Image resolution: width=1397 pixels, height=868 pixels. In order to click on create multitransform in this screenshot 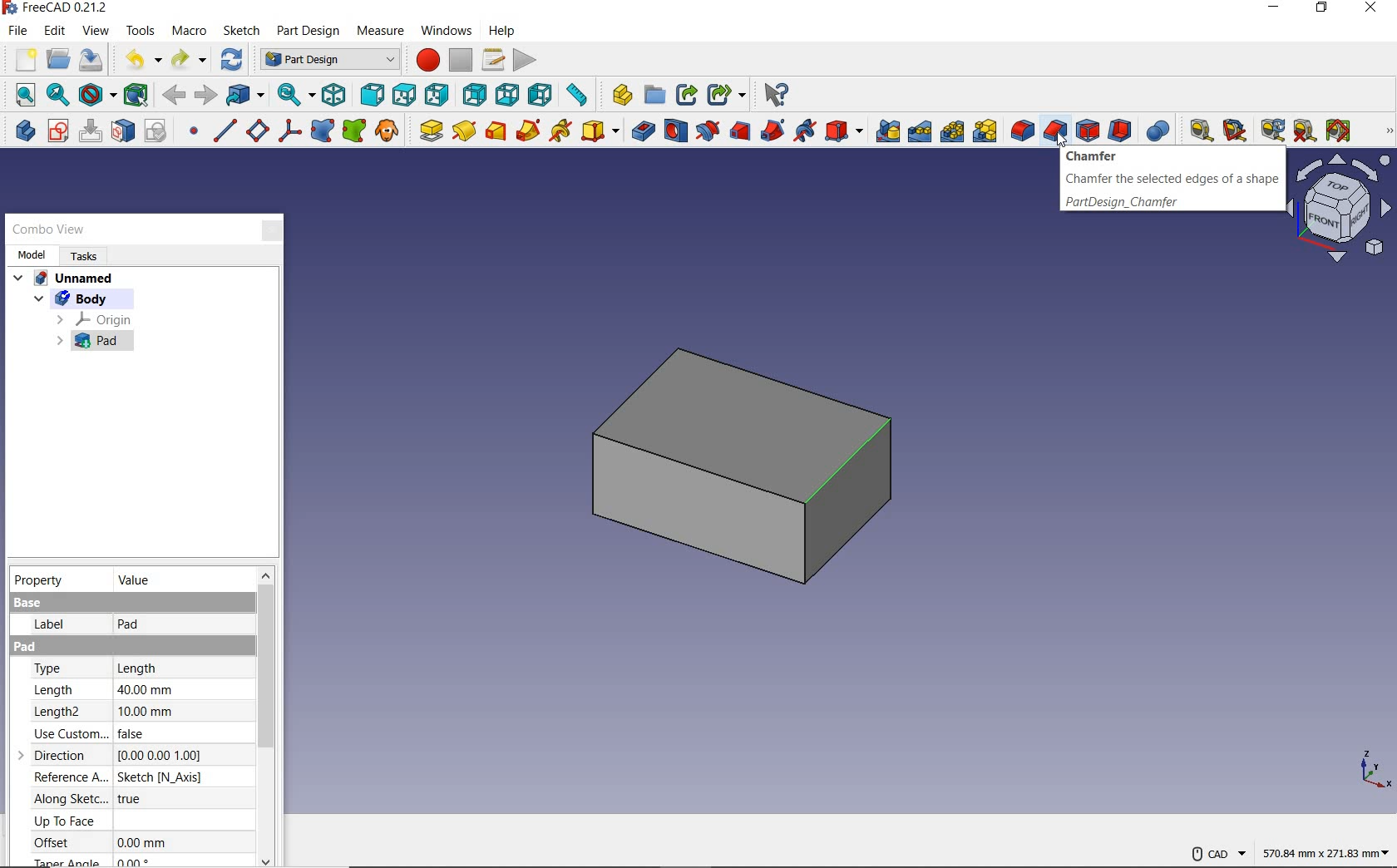, I will do `click(985, 133)`.